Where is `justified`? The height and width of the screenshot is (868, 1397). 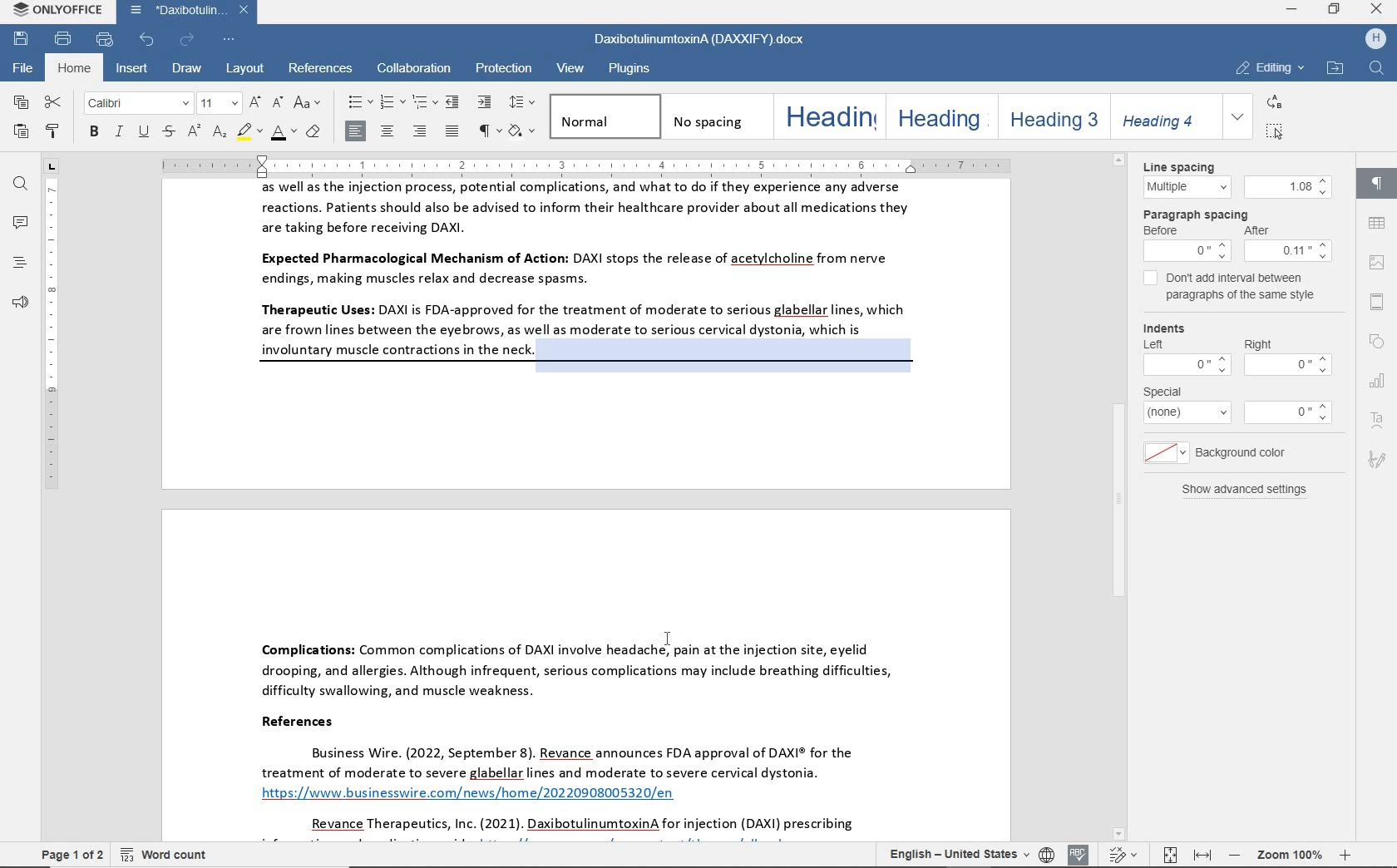 justified is located at coordinates (453, 132).